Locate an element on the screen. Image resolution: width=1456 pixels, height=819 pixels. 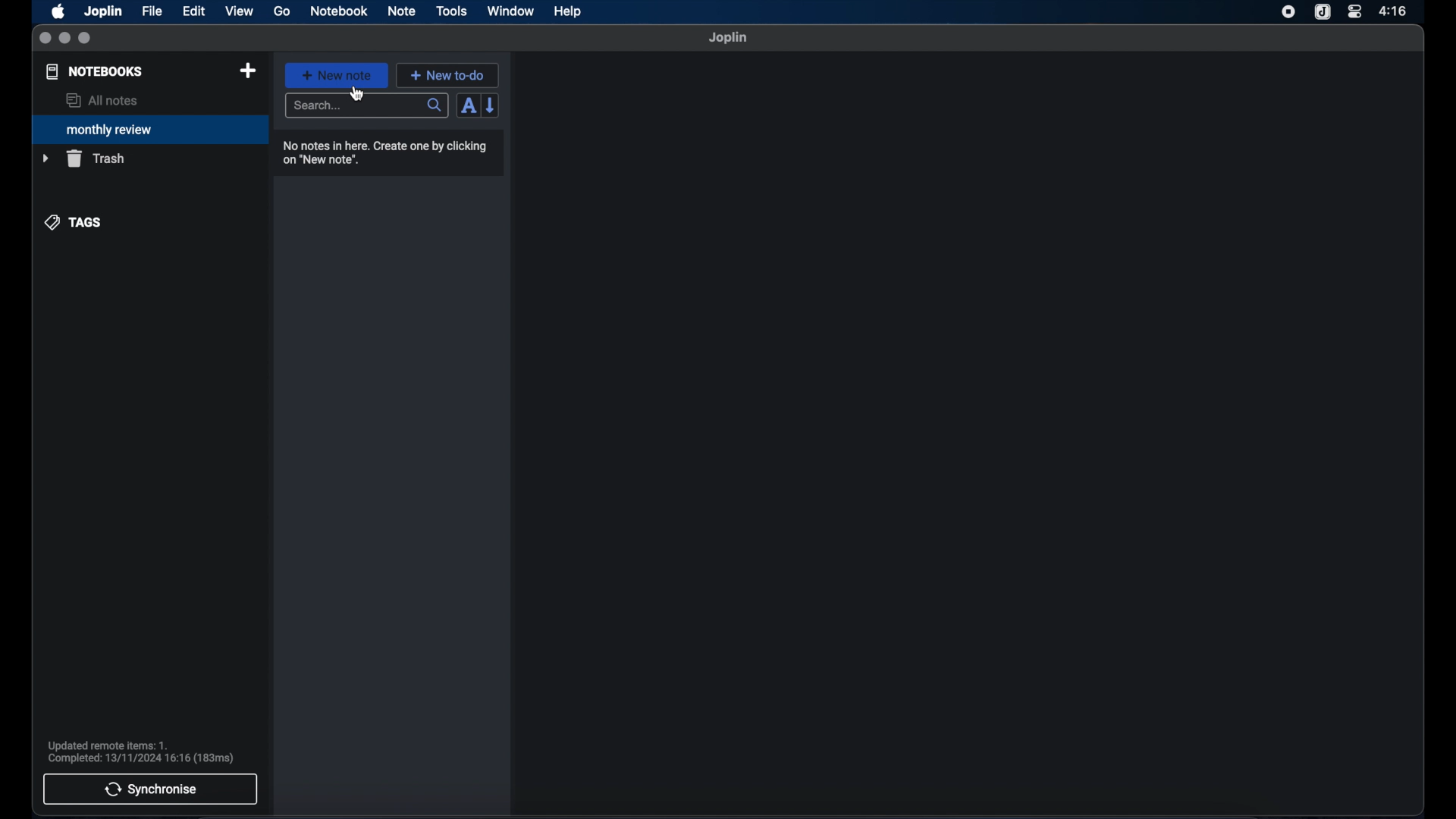
new to-do is located at coordinates (448, 75).